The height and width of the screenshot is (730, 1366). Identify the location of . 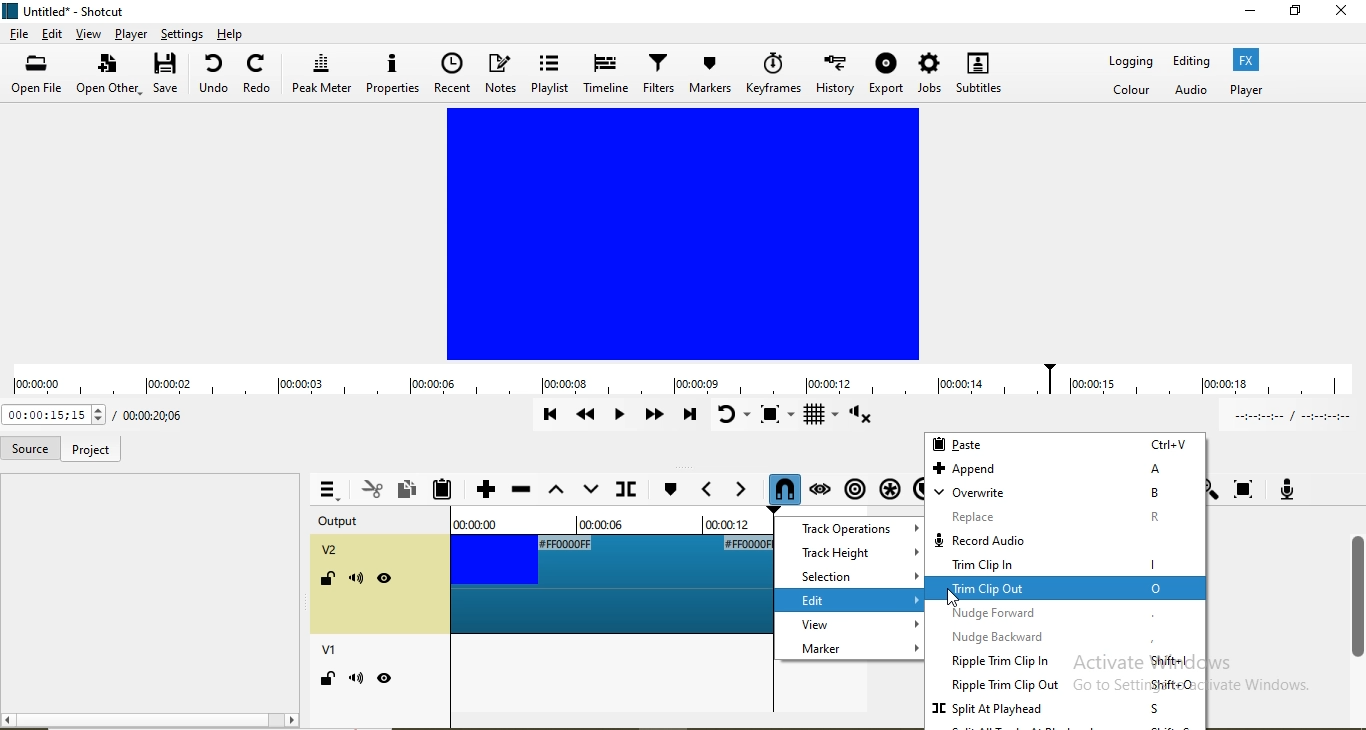
(734, 416).